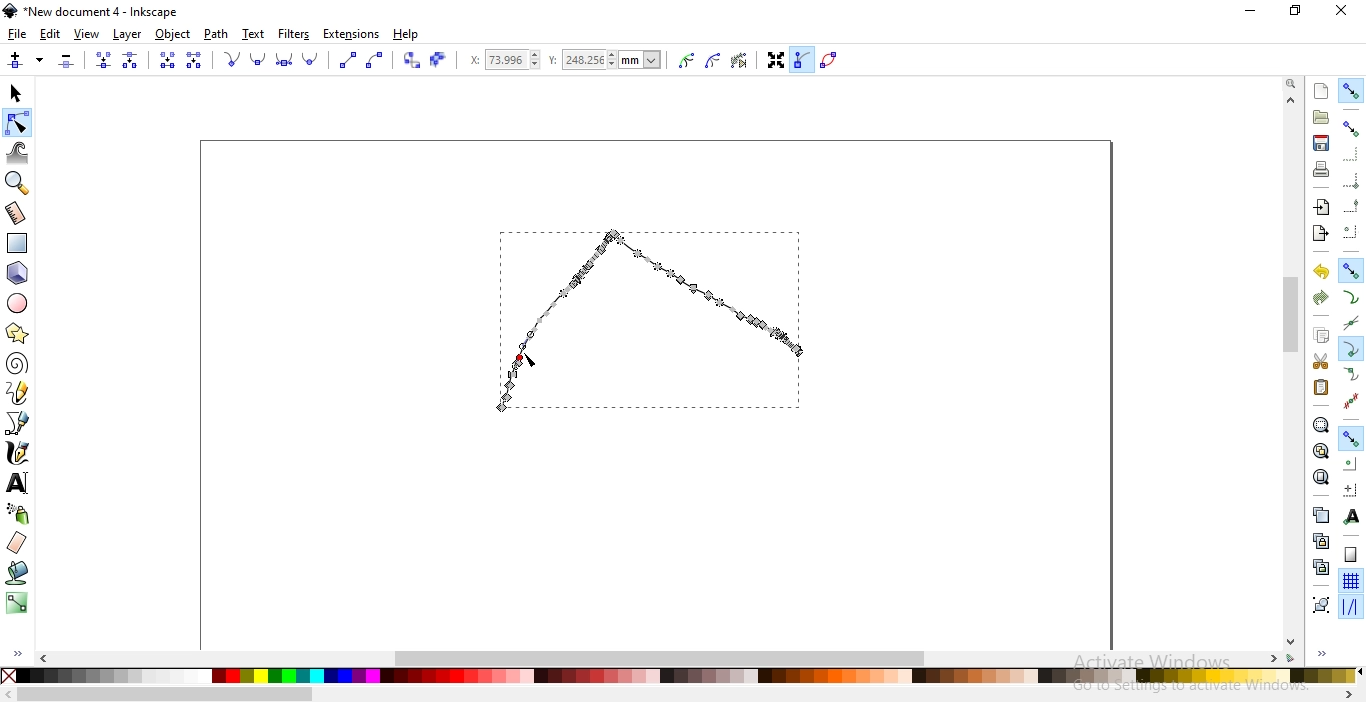 This screenshot has height=702, width=1366. I want to click on snap guides, so click(1348, 607).